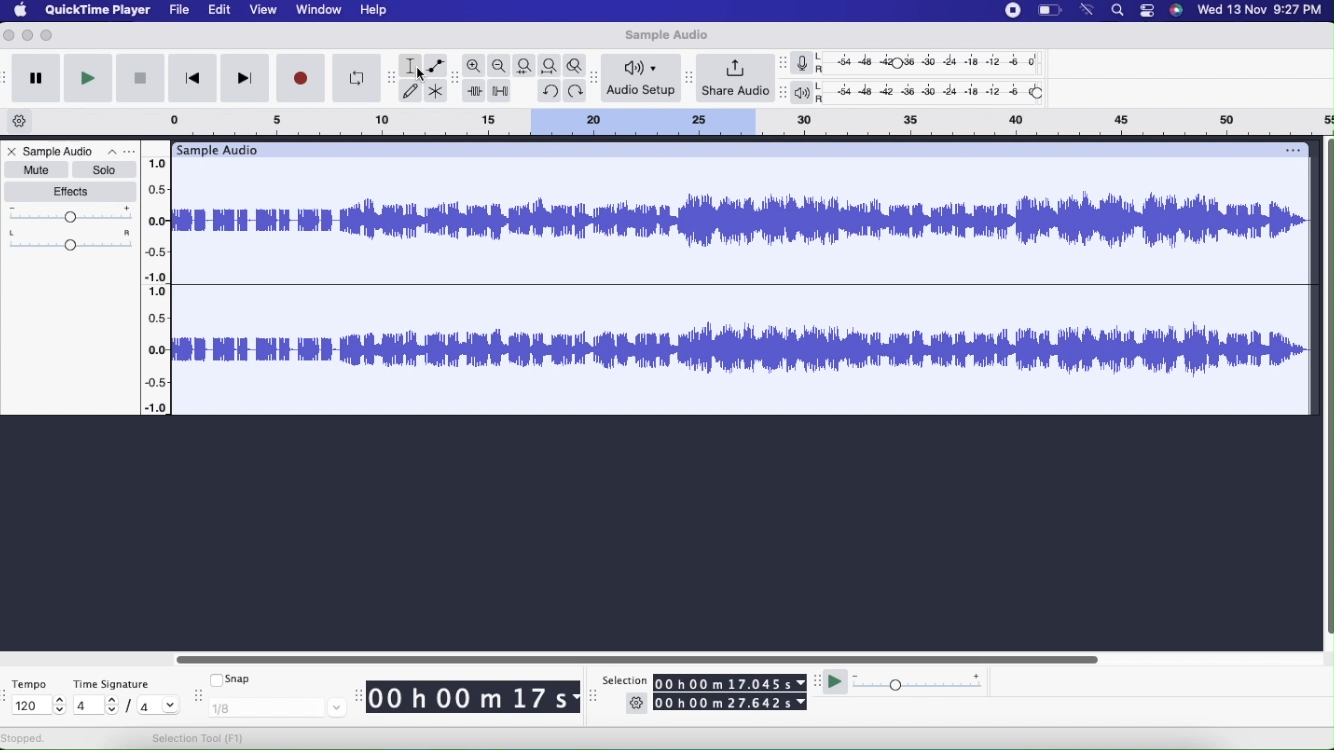 This screenshot has height=750, width=1334. I want to click on Audio Setup, so click(642, 77).